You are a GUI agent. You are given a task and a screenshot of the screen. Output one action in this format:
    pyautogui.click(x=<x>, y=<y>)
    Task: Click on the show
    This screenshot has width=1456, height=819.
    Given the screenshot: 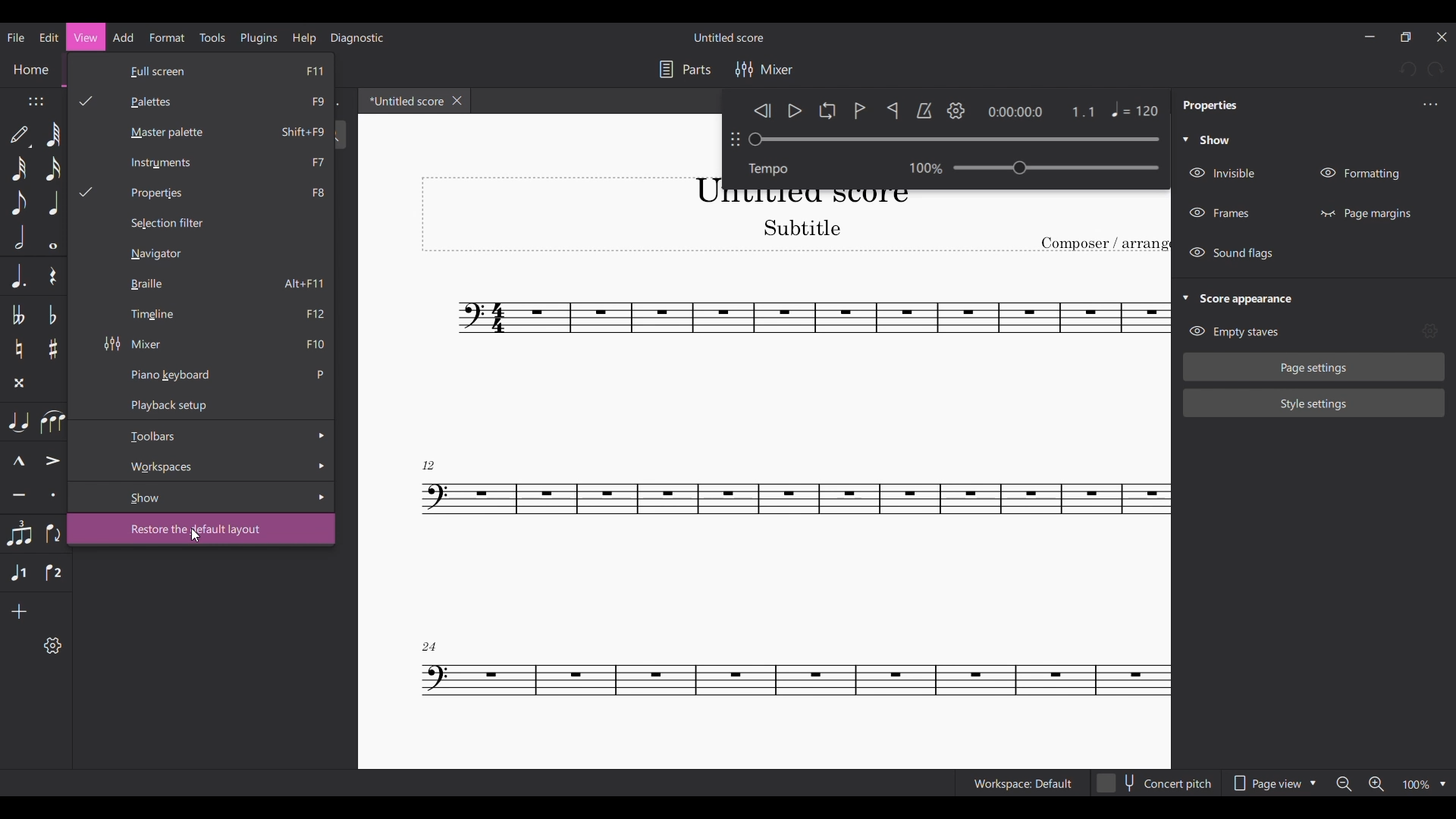 What is the action you would take?
    pyautogui.click(x=1218, y=140)
    